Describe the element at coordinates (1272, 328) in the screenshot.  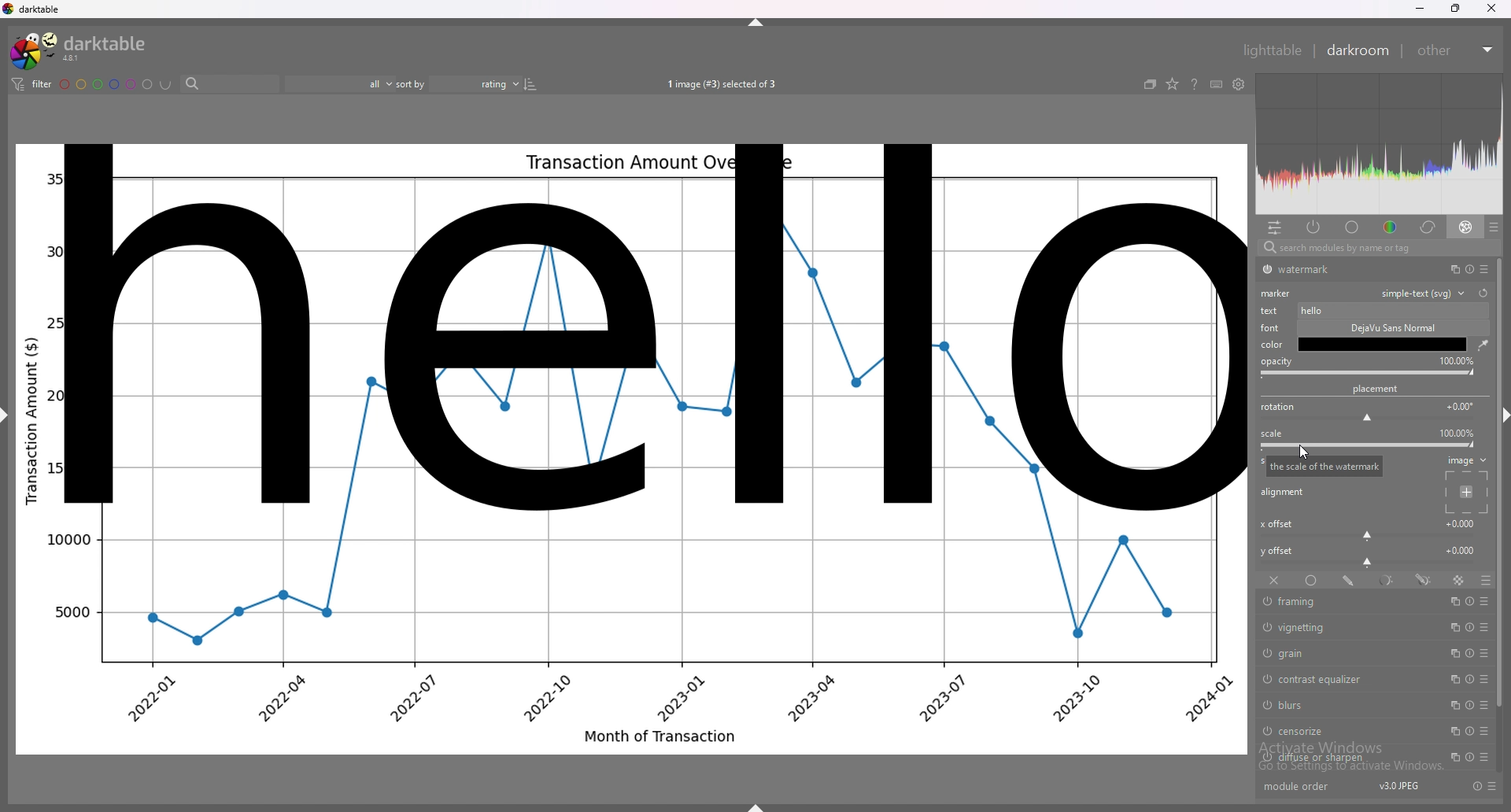
I see `font` at that location.